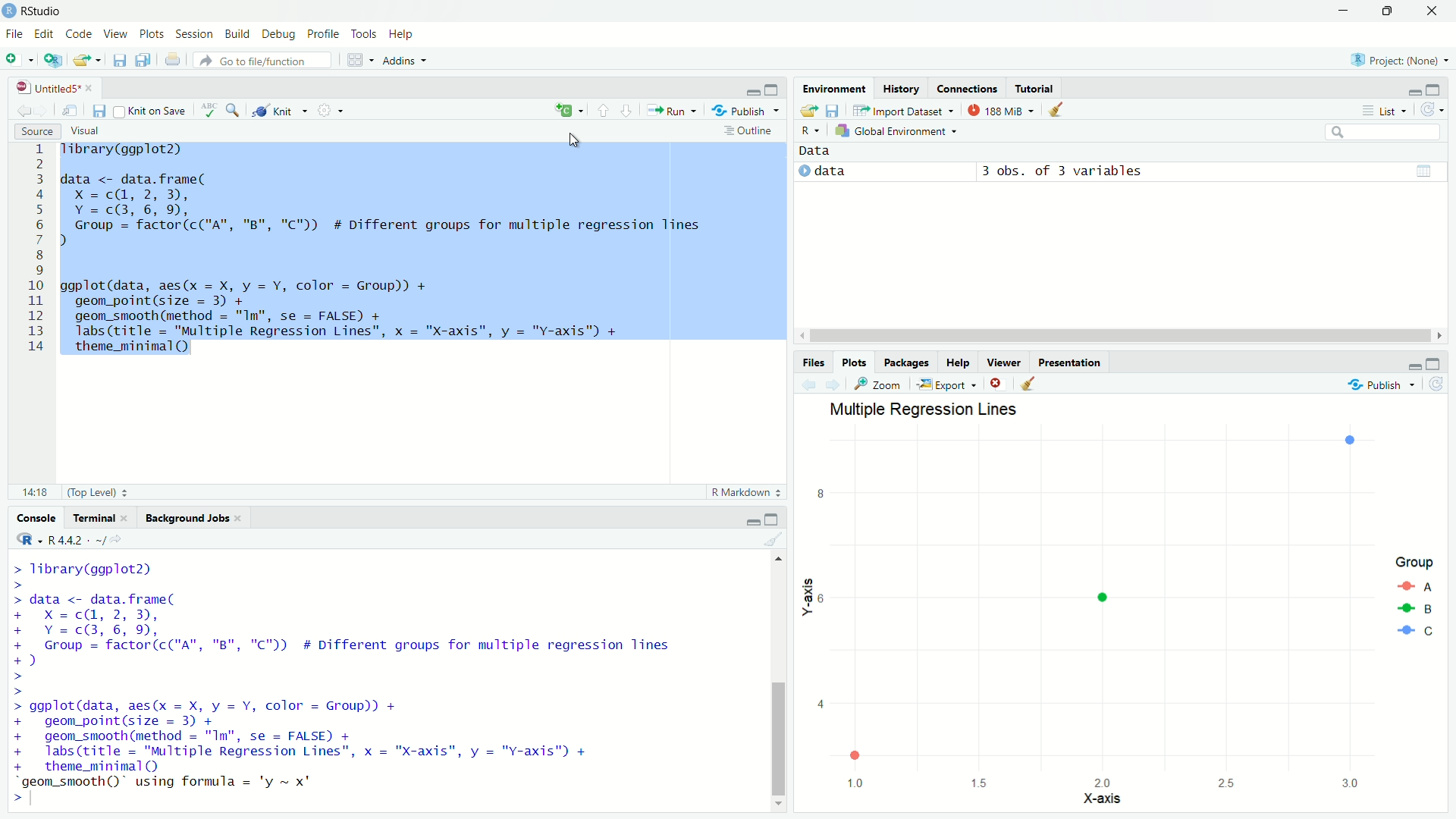  What do you see at coordinates (900, 90) in the screenshot?
I see `History` at bounding box center [900, 90].